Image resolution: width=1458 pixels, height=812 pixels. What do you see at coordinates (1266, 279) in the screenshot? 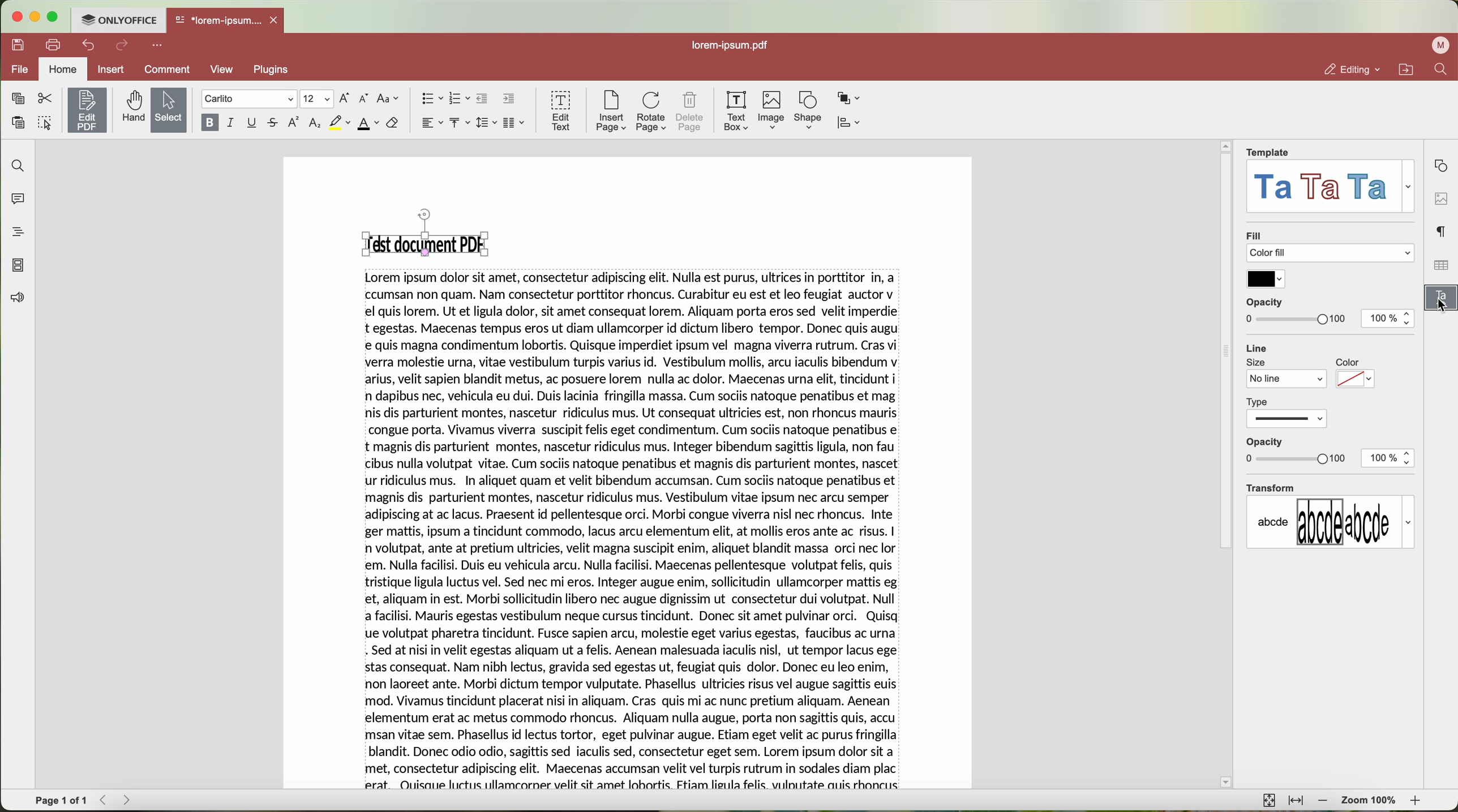
I see `color black` at bounding box center [1266, 279].